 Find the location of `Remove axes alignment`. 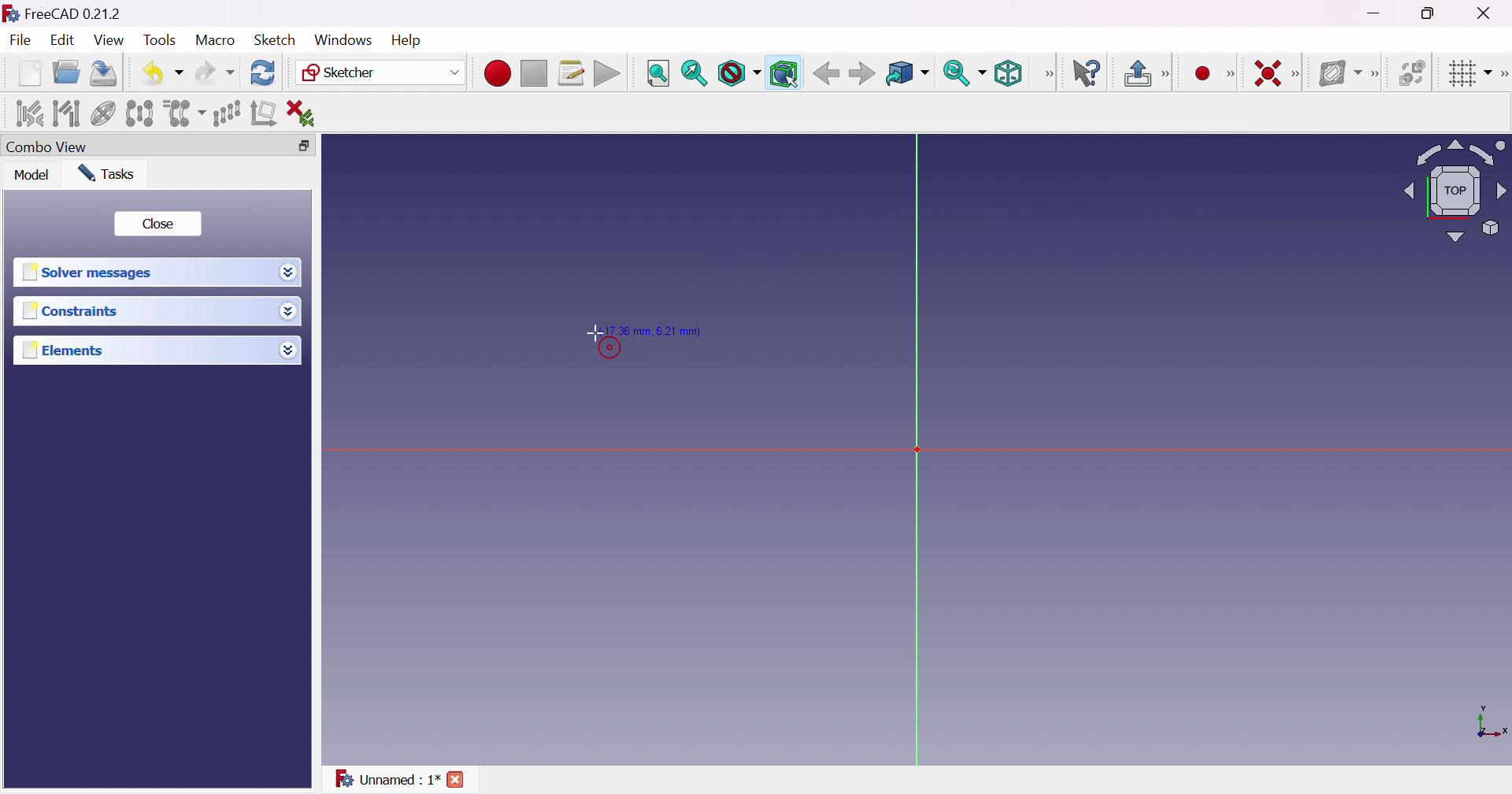

Remove axes alignment is located at coordinates (265, 113).